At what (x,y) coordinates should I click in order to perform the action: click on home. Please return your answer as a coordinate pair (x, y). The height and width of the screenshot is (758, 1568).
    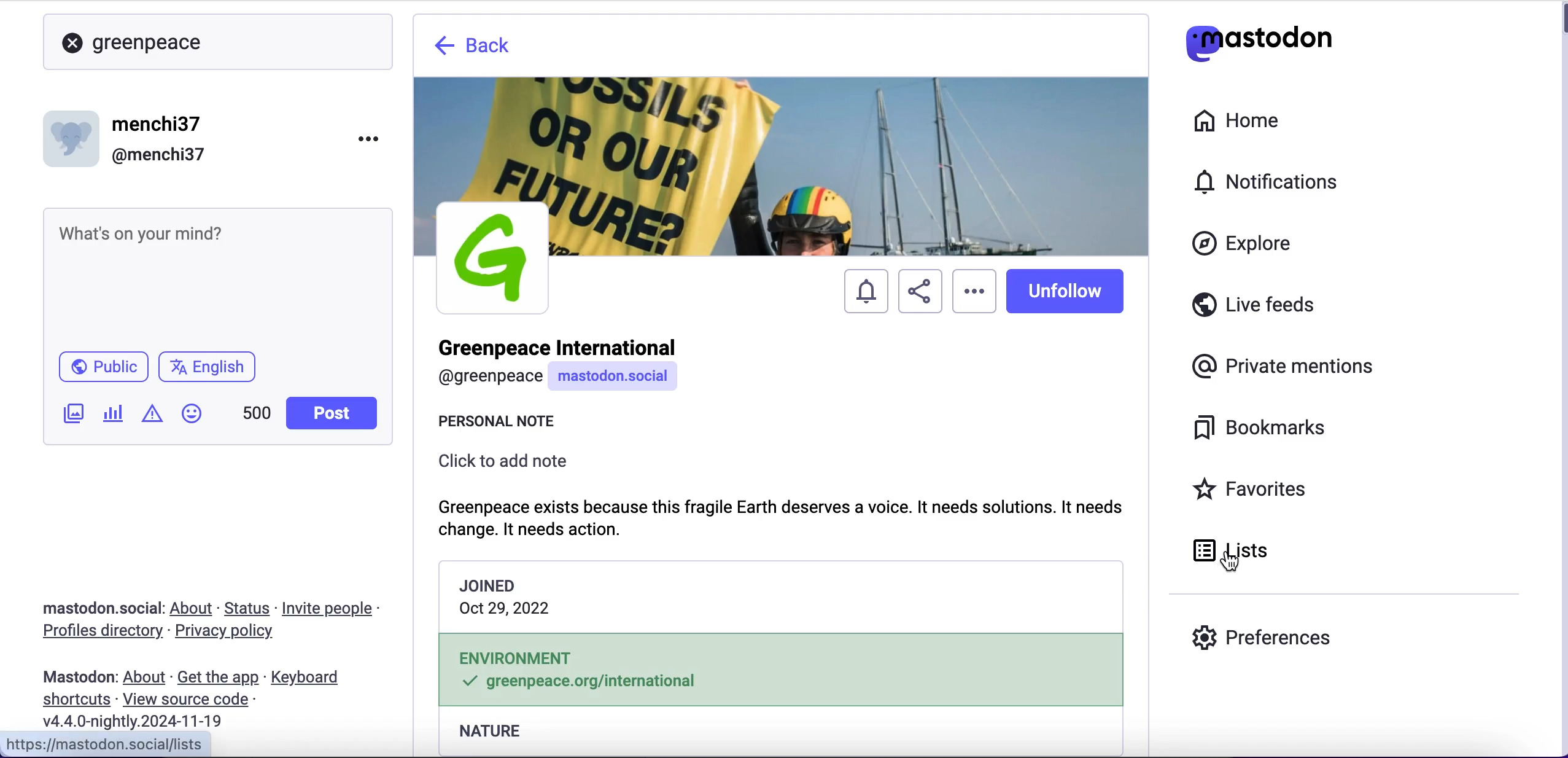
    Looking at the image, I should click on (1234, 121).